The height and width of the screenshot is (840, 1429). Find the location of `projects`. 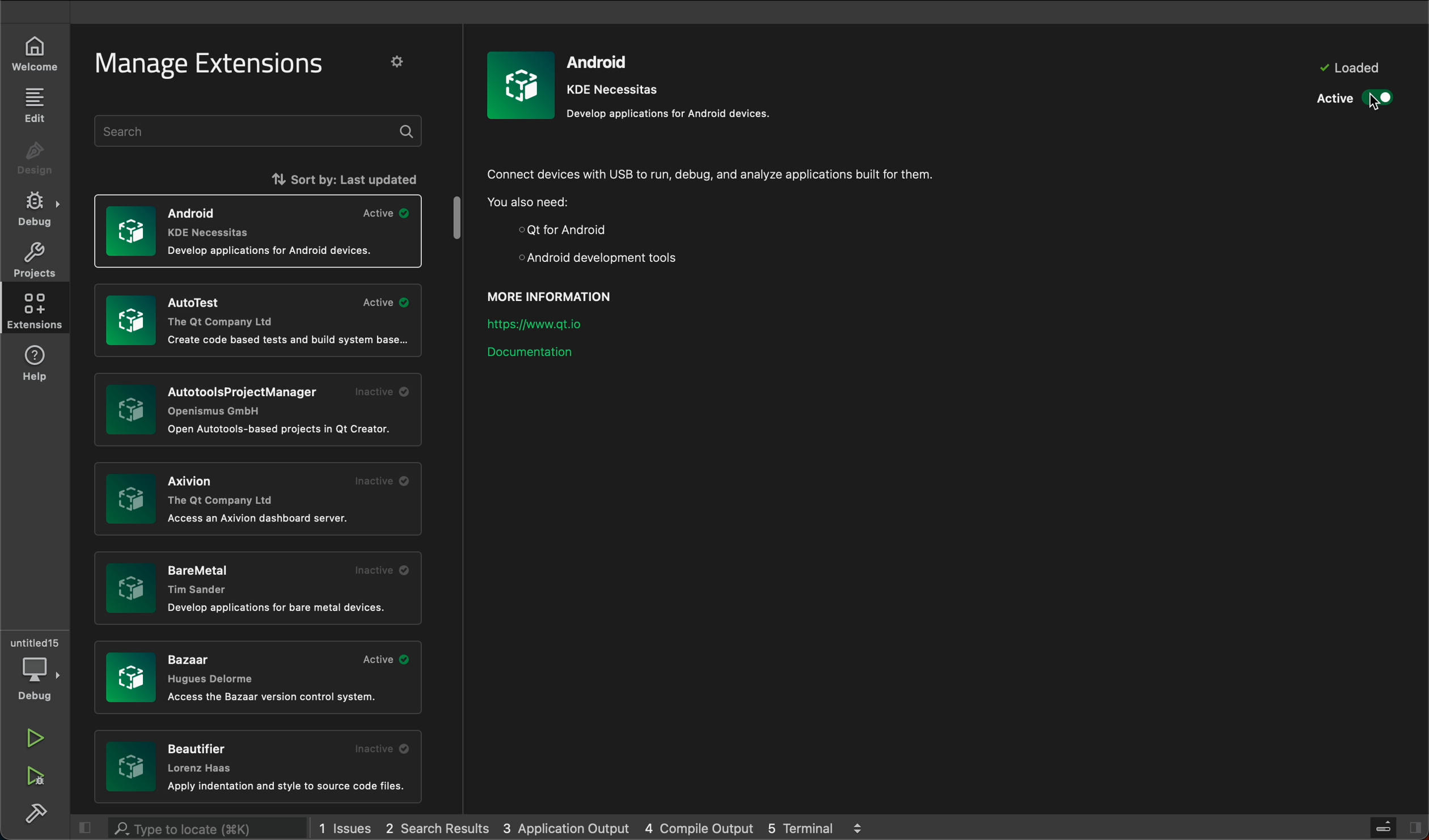

projects is located at coordinates (35, 260).